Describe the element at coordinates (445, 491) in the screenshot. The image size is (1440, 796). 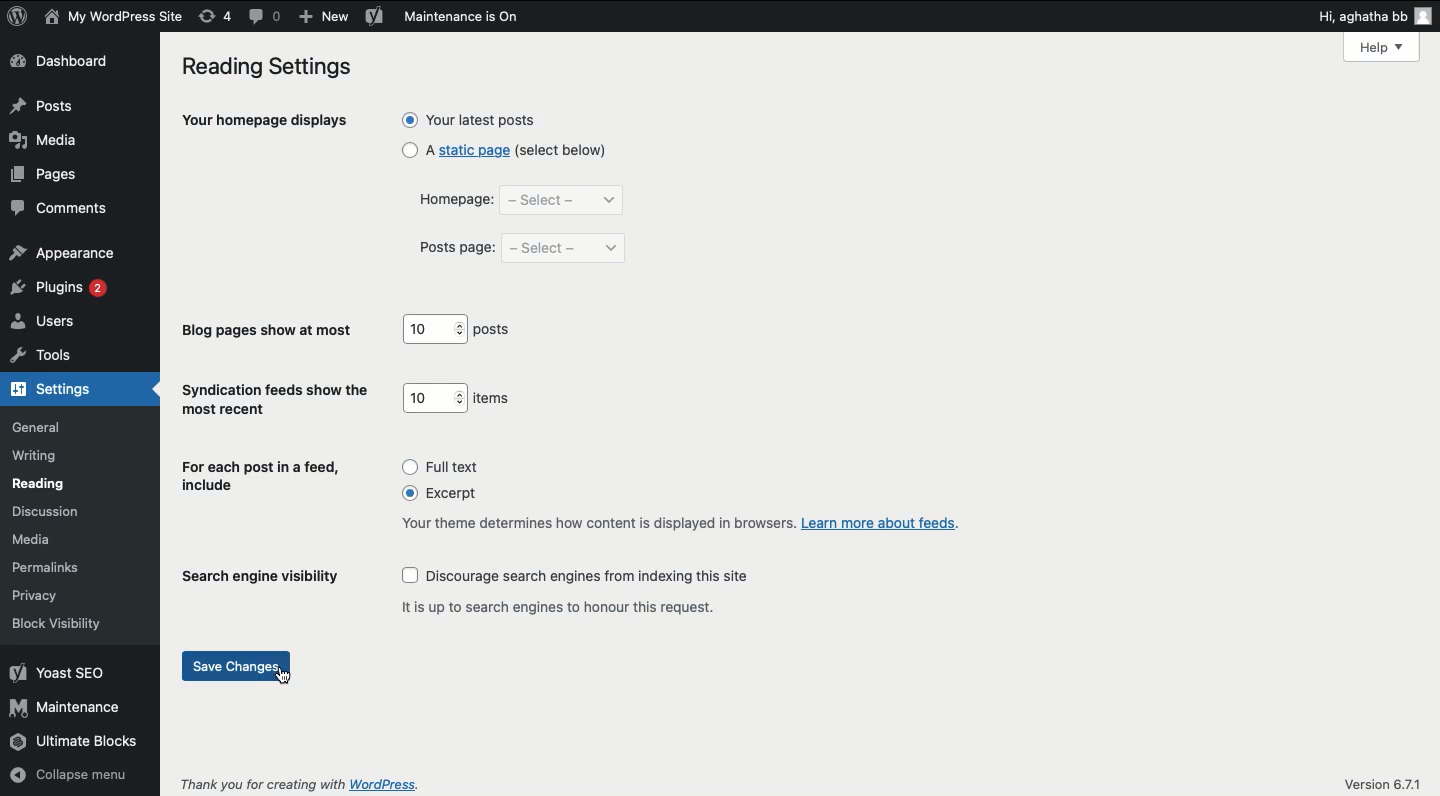
I see `excerpt` at that location.